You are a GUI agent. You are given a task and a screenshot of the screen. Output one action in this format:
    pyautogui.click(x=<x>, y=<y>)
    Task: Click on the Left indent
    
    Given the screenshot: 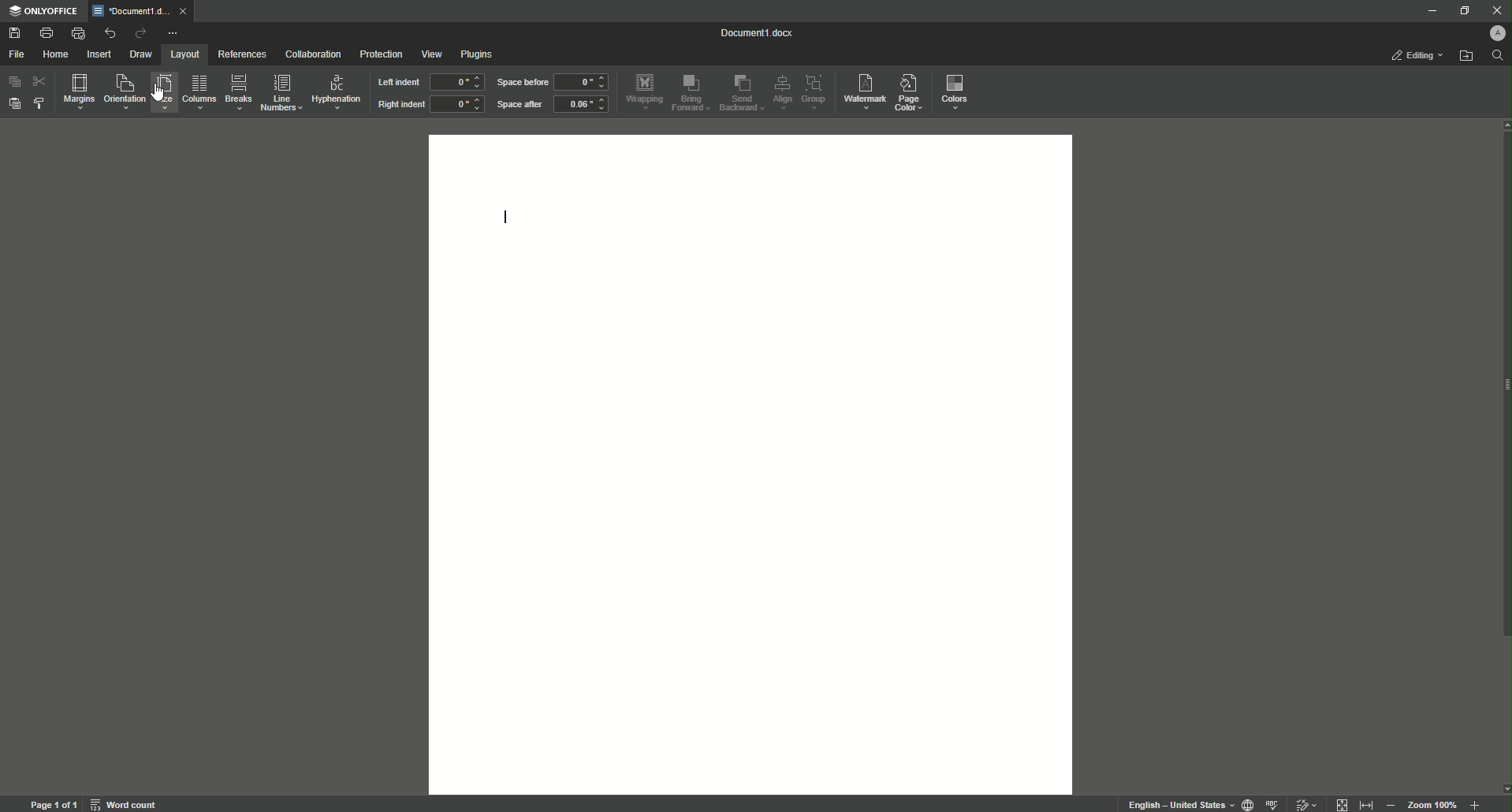 What is the action you would take?
    pyautogui.click(x=397, y=83)
    